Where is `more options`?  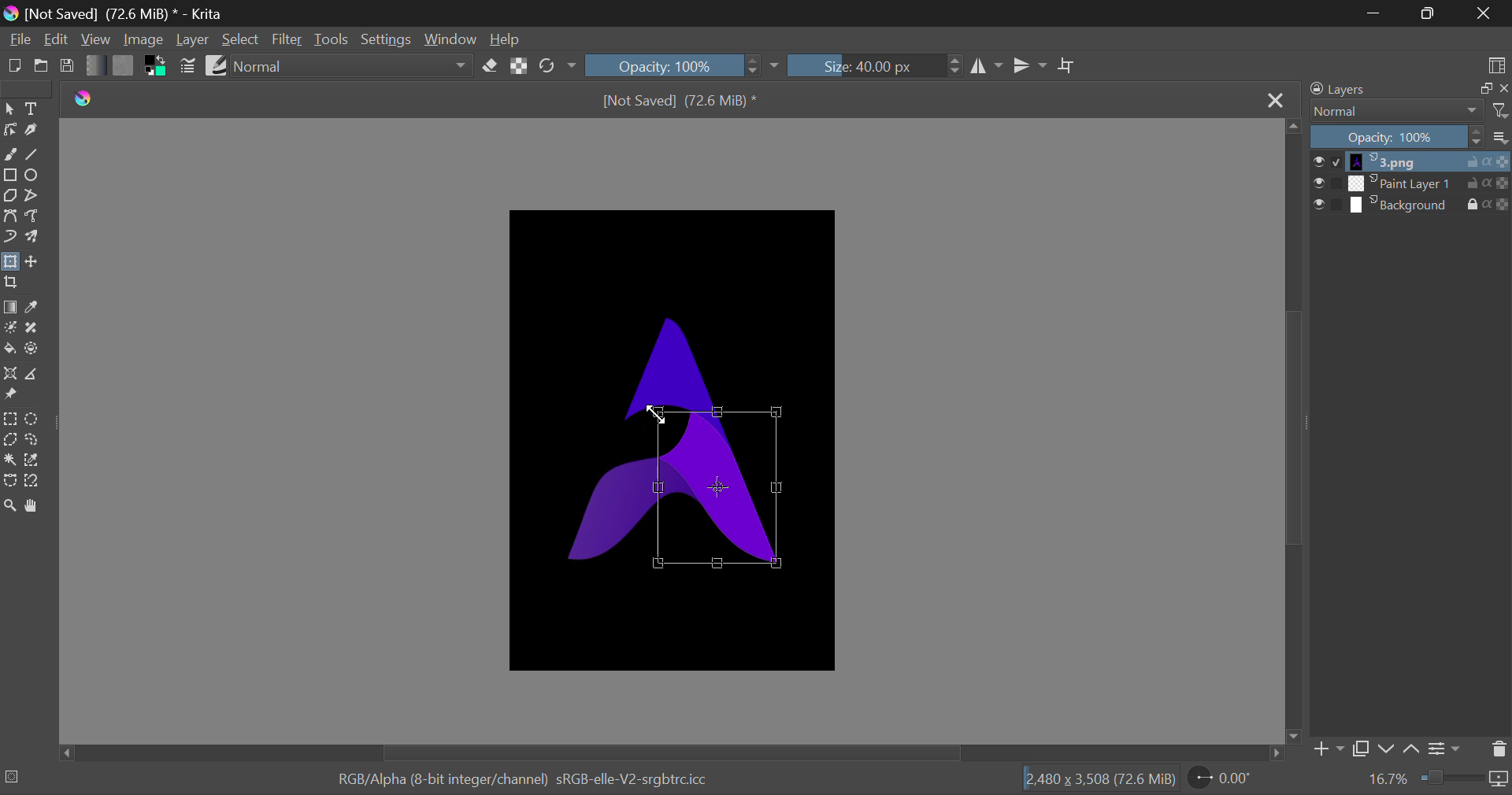 more options is located at coordinates (1499, 139).